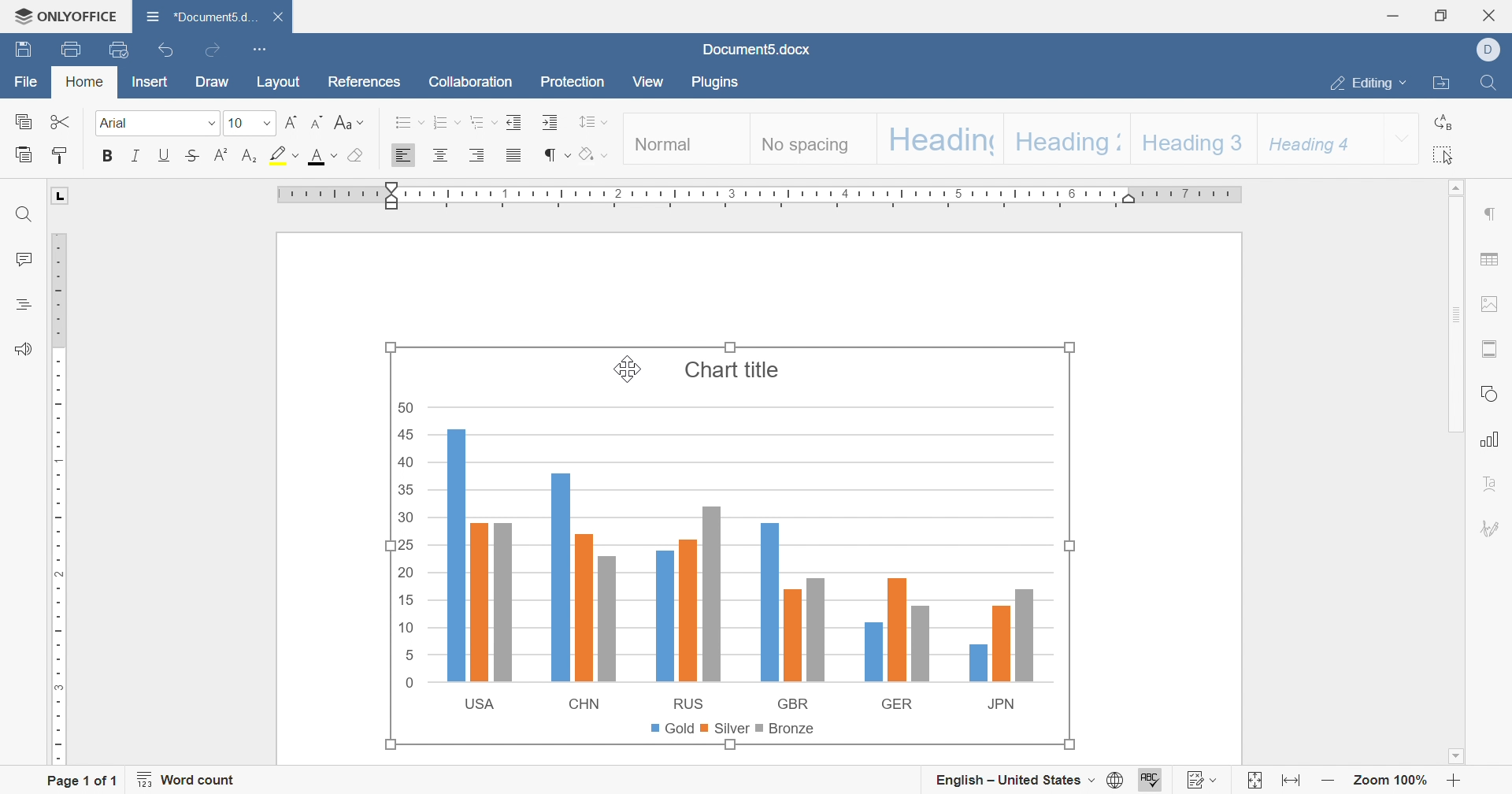 This screenshot has width=1512, height=794. Describe the element at coordinates (213, 49) in the screenshot. I see `redo` at that location.